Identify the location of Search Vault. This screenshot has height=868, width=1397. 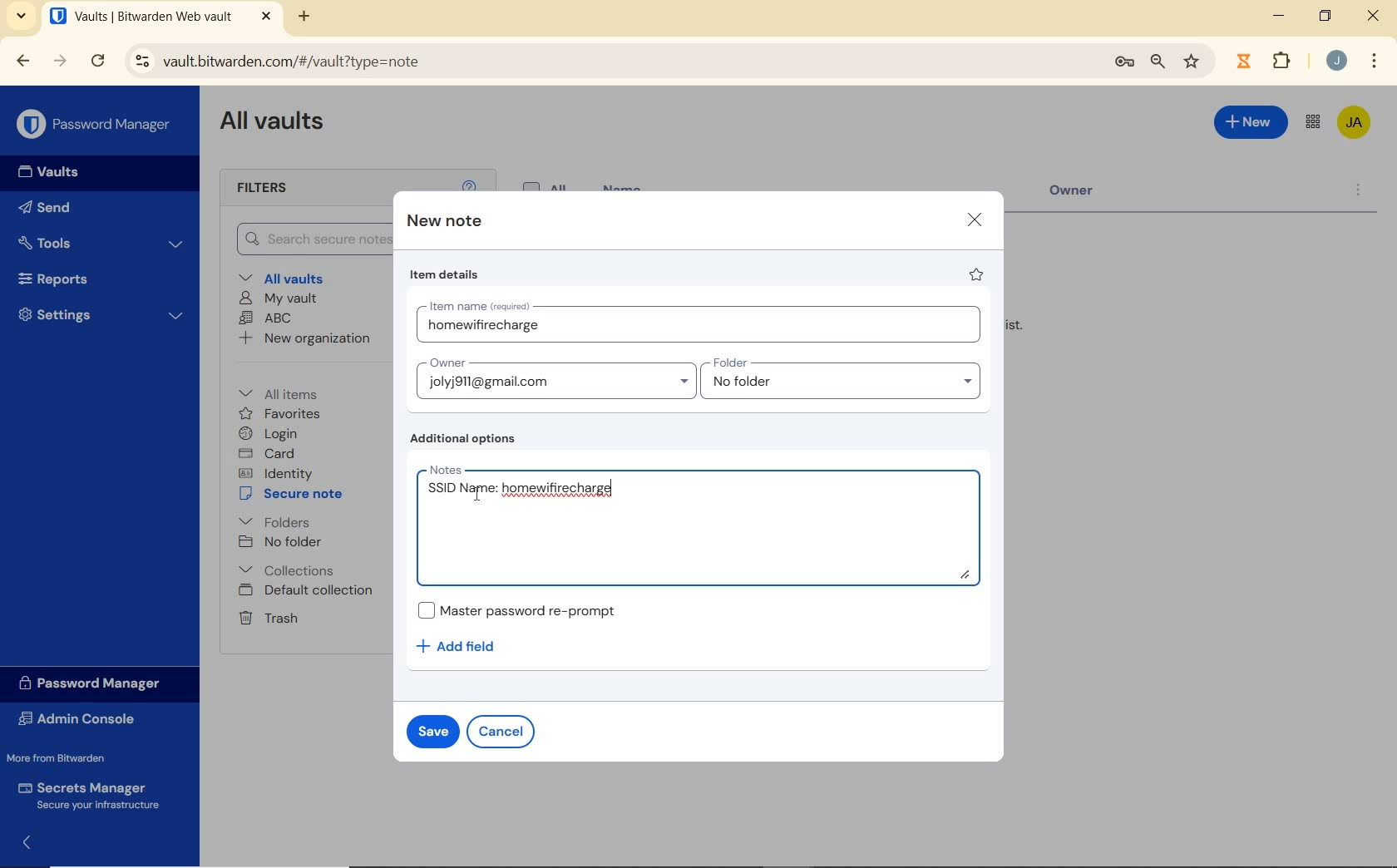
(306, 240).